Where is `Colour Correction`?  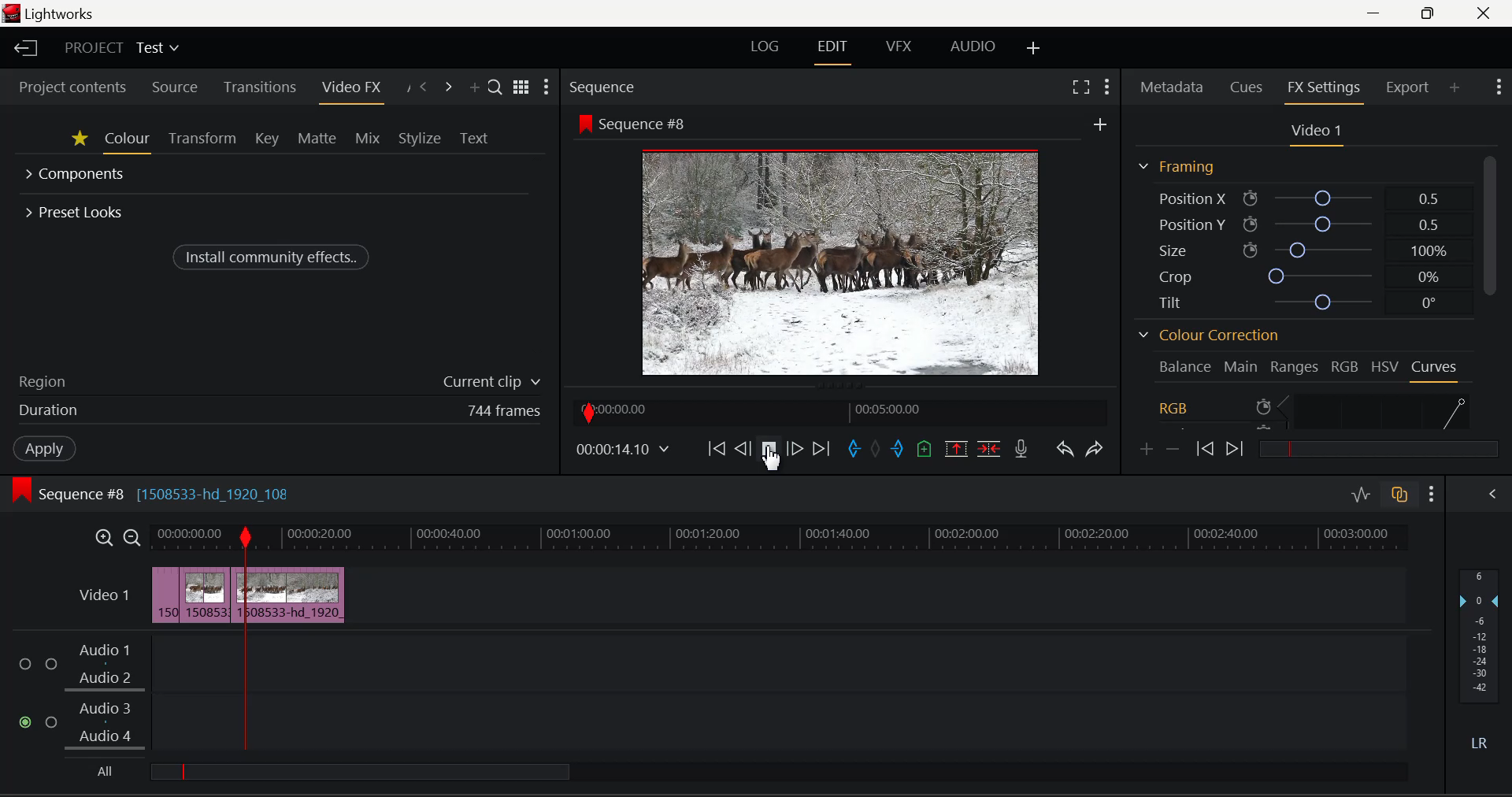
Colour Correction is located at coordinates (1206, 335).